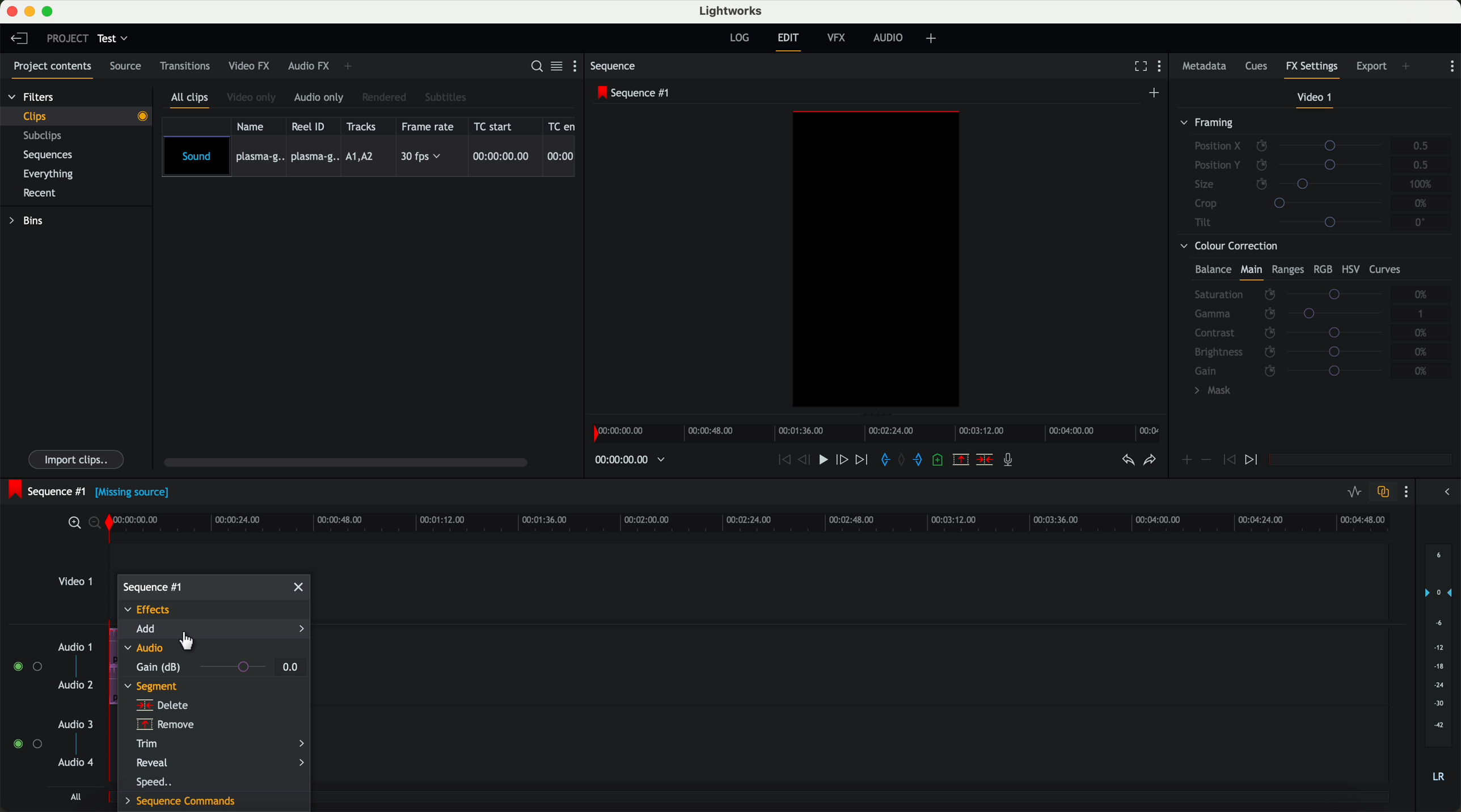  Describe the element at coordinates (1126, 463) in the screenshot. I see `undo` at that location.